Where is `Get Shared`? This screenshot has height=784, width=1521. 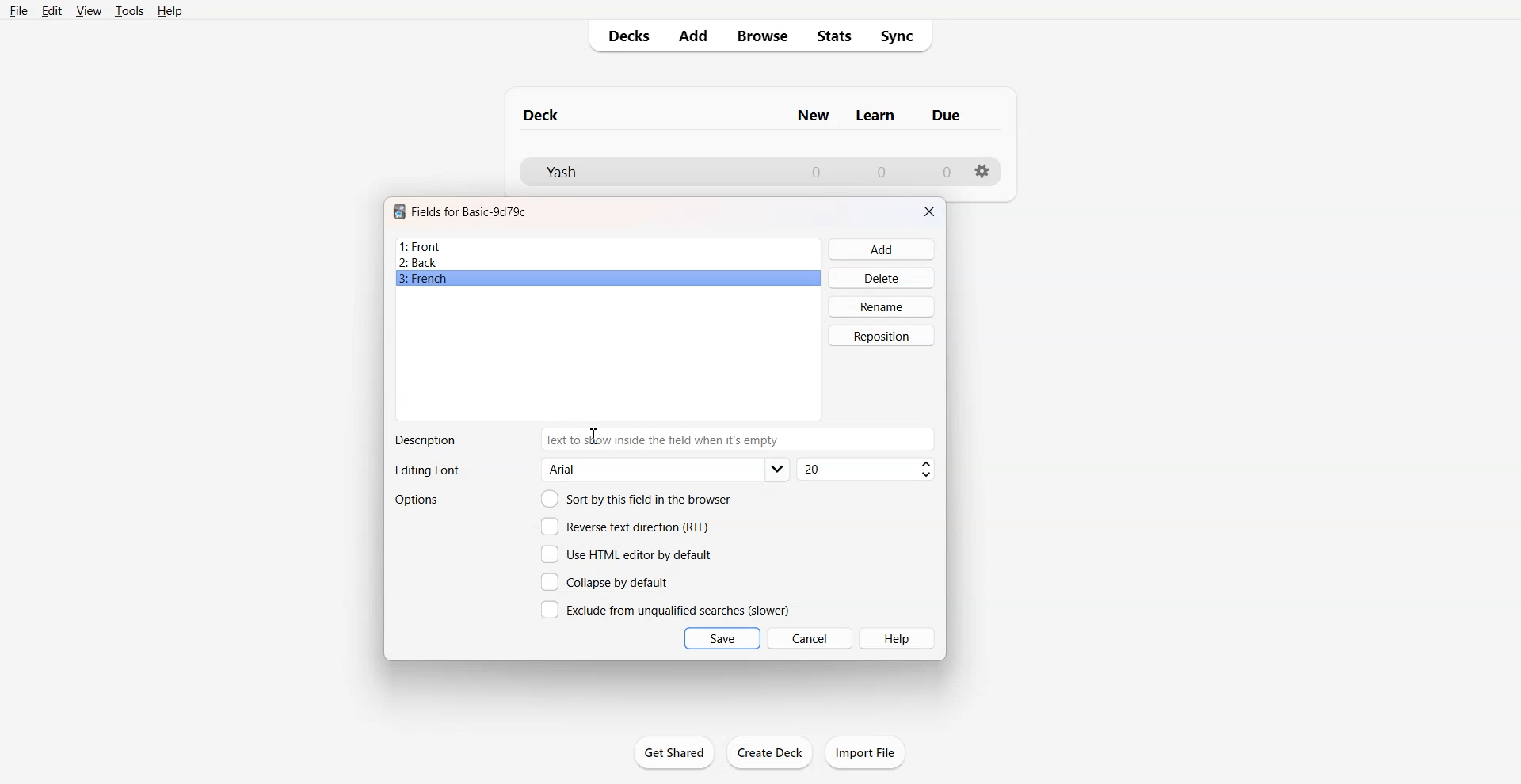 Get Shared is located at coordinates (674, 752).